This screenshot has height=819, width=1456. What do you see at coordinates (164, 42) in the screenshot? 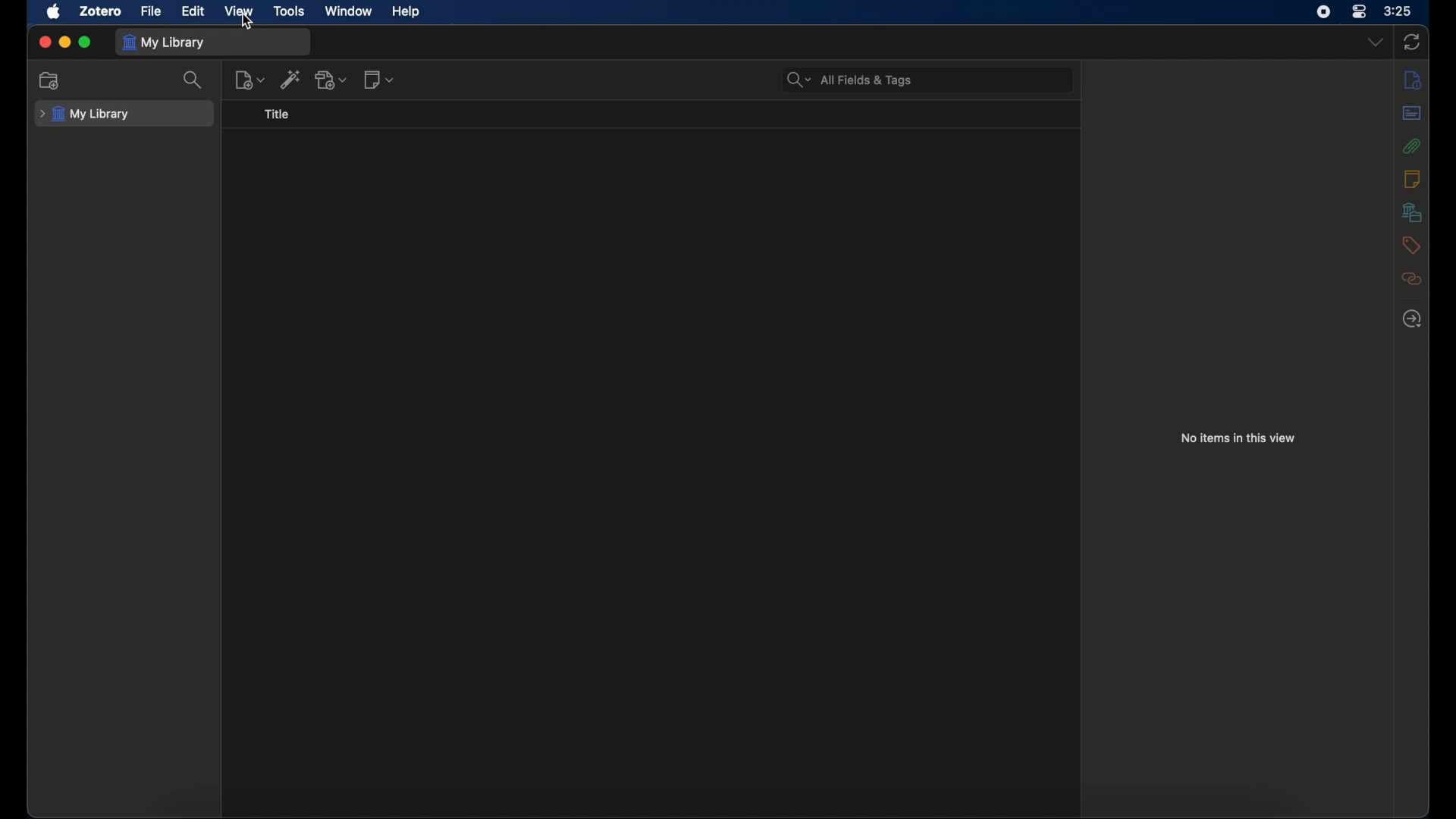
I see `my library` at bounding box center [164, 42].